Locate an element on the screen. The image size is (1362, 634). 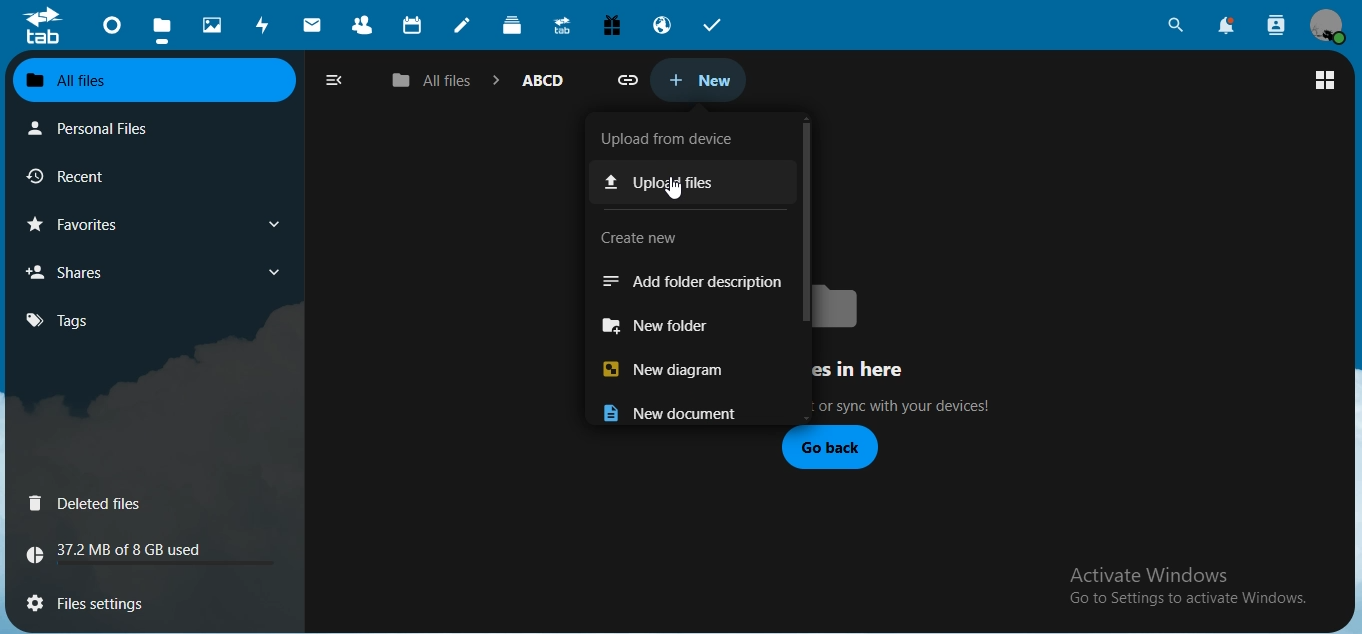
show is located at coordinates (275, 274).